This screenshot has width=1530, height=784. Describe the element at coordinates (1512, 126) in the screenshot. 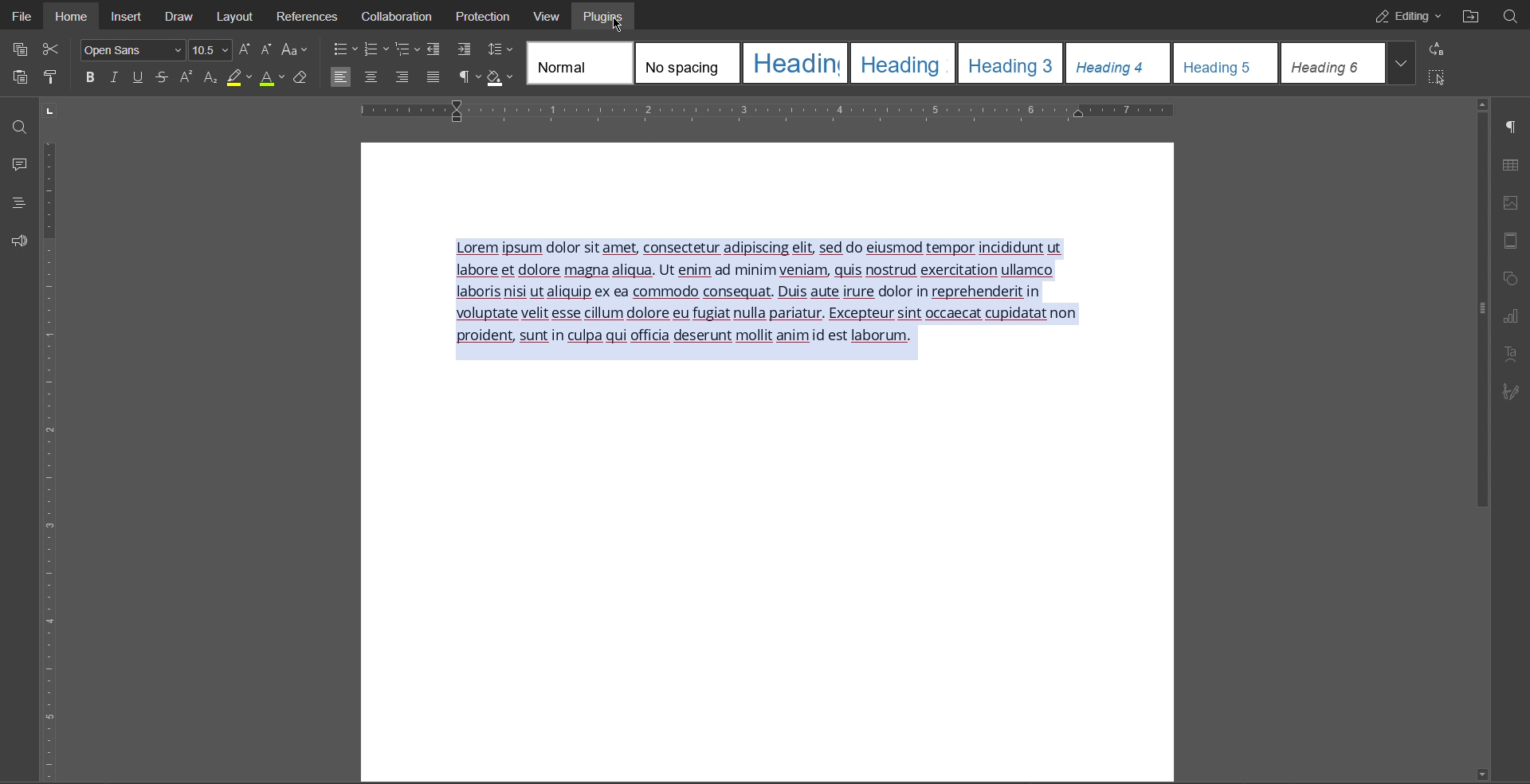

I see `Paragraph Settings` at that location.